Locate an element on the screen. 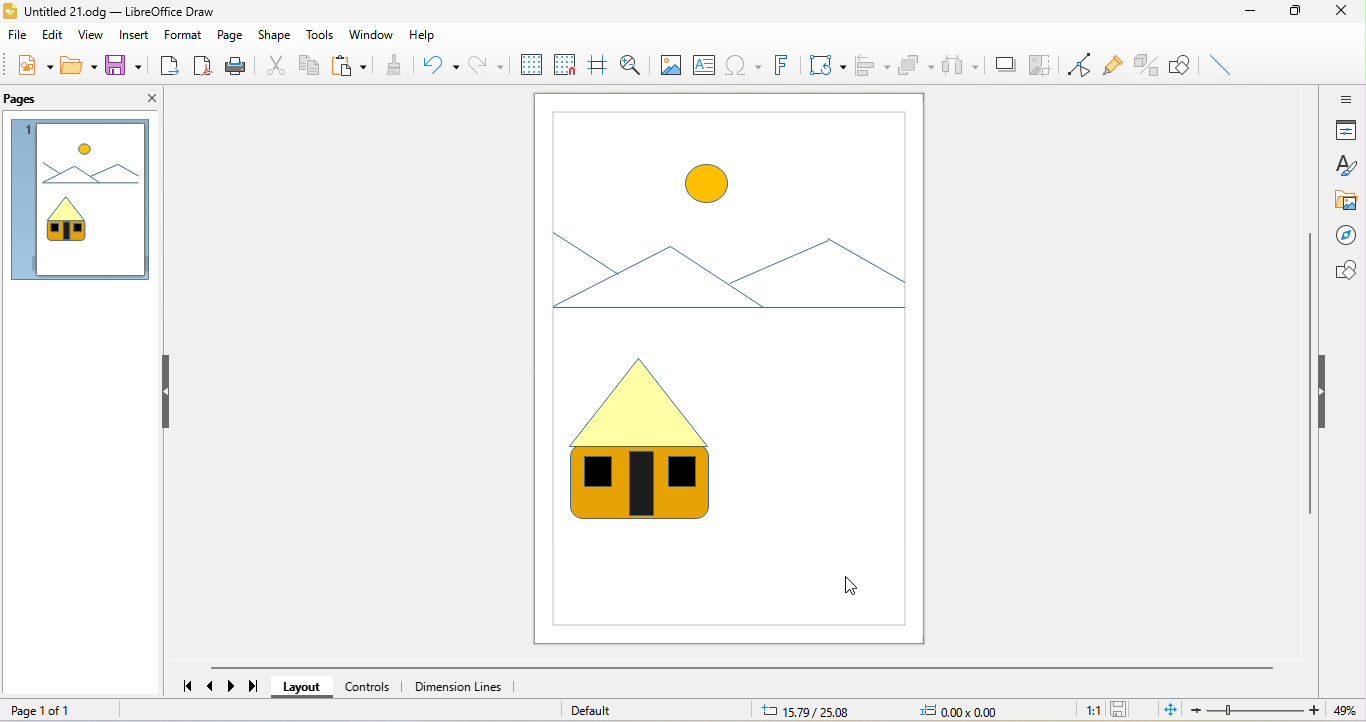 The width and height of the screenshot is (1366, 722). gallery is located at coordinates (1344, 201).